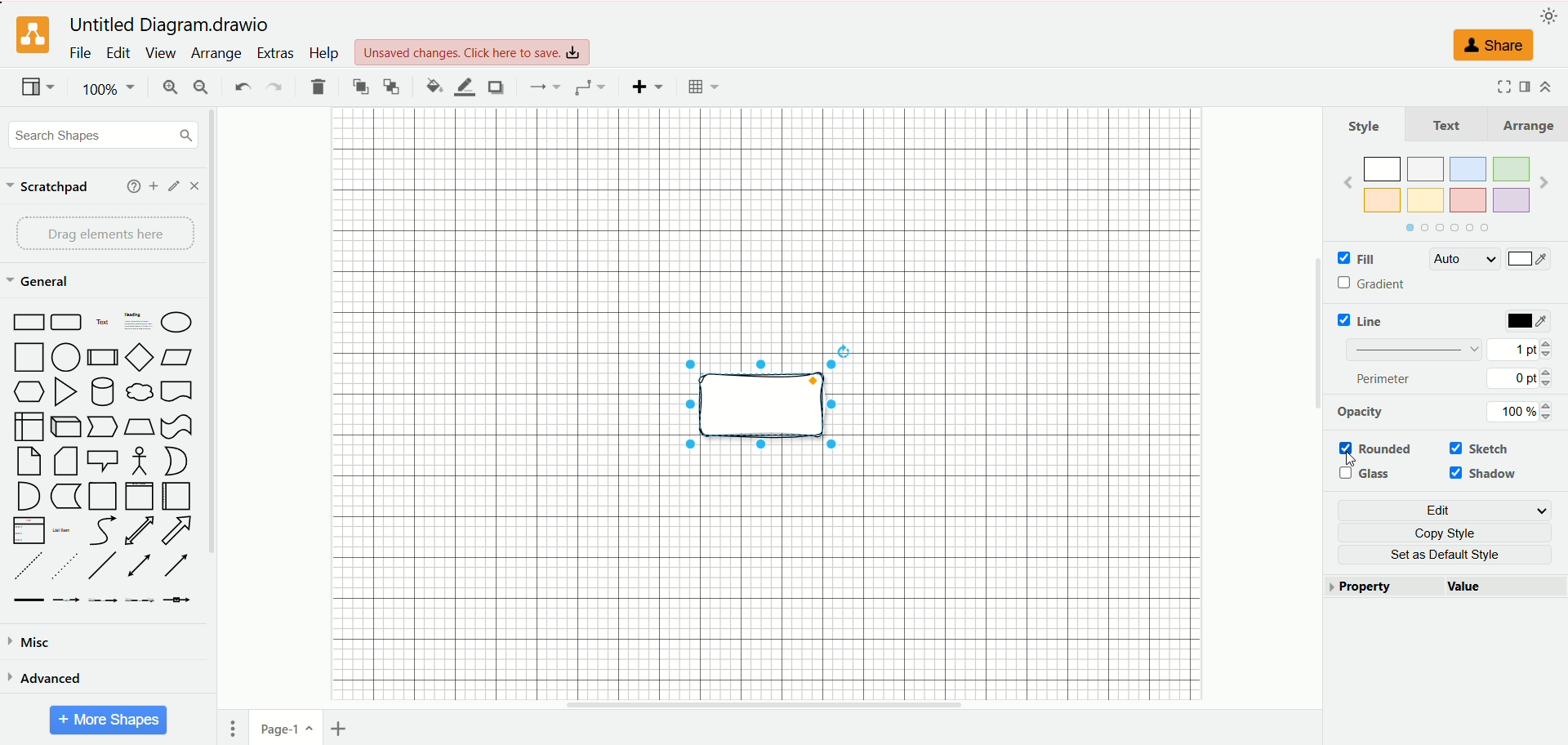 The width and height of the screenshot is (1568, 745). I want to click on redo, so click(273, 88).